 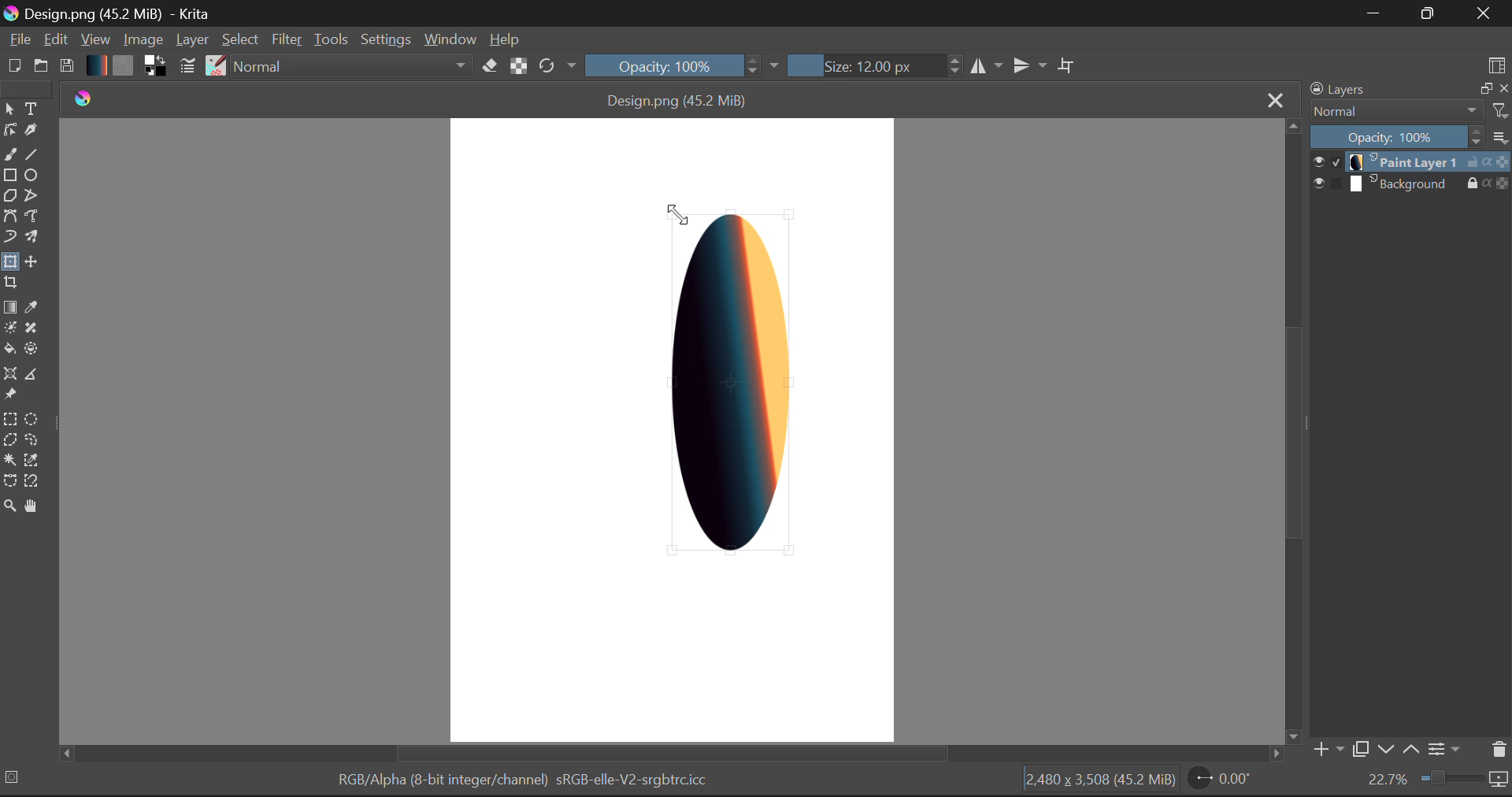 I want to click on Window, so click(x=450, y=40).